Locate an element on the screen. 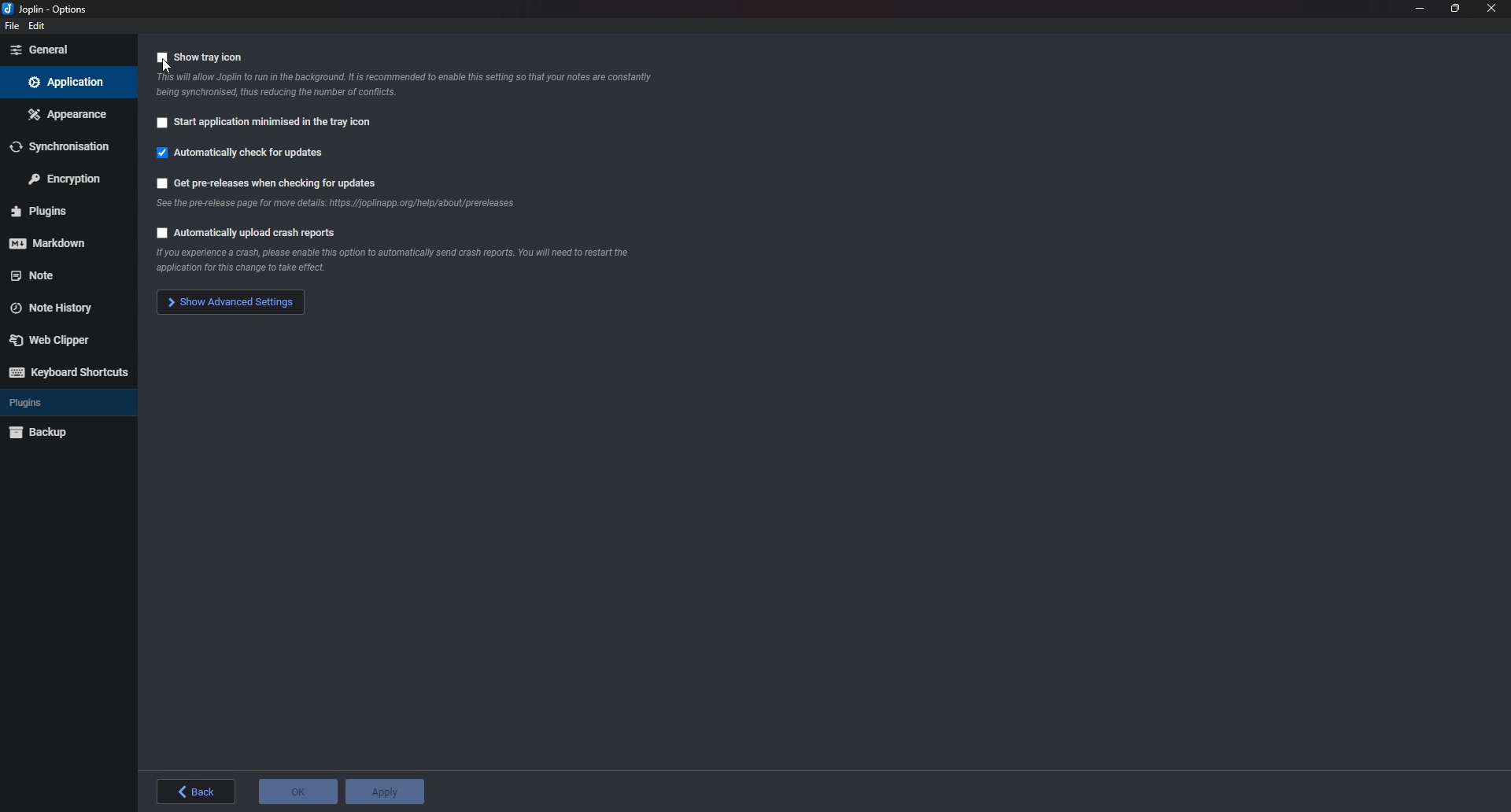  Application is located at coordinates (68, 82).